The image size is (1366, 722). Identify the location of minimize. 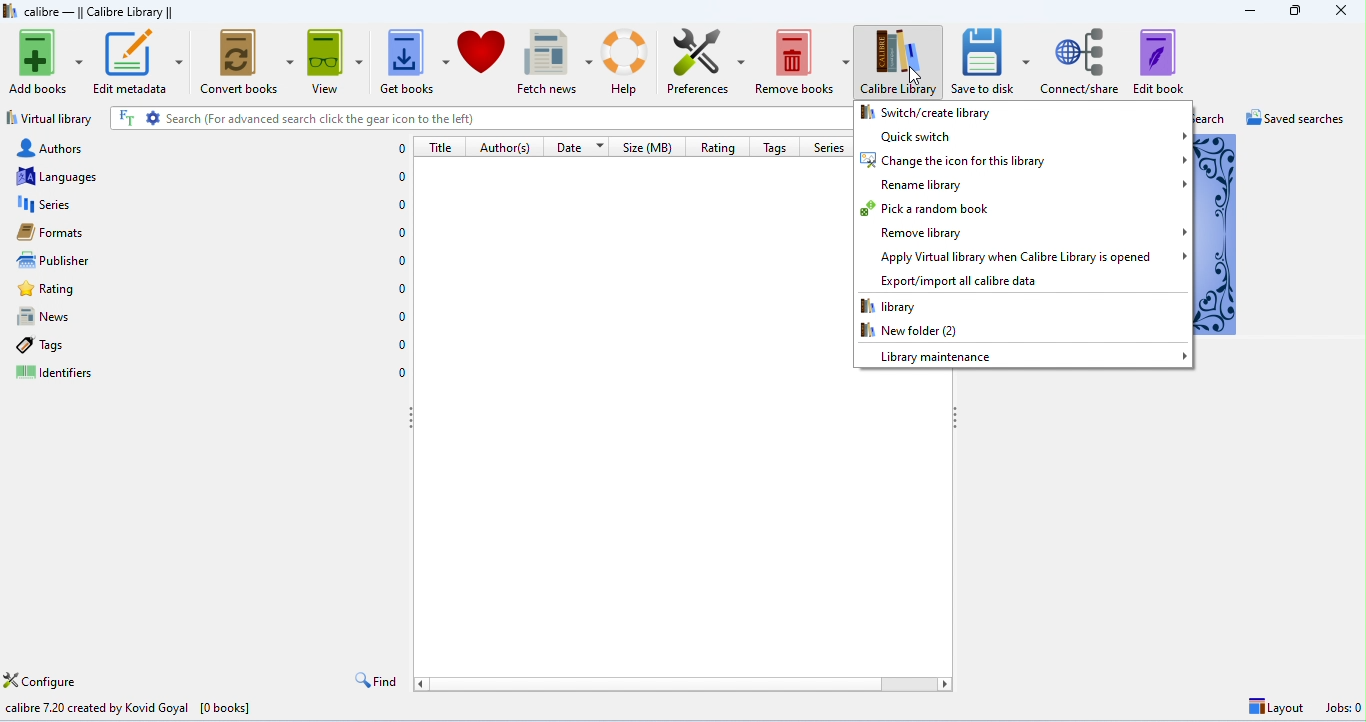
(1250, 12).